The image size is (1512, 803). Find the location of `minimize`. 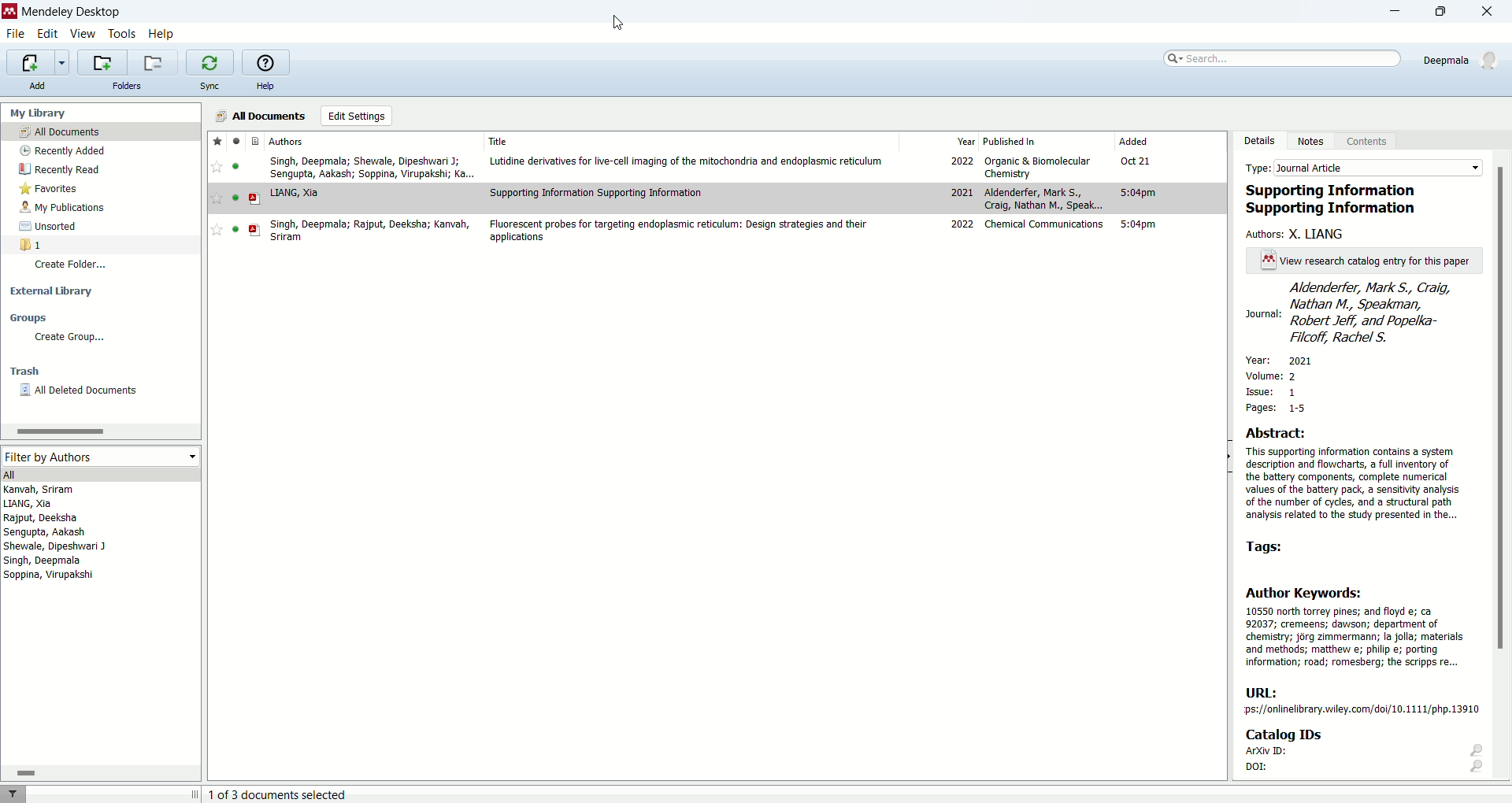

minimize is located at coordinates (1395, 11).